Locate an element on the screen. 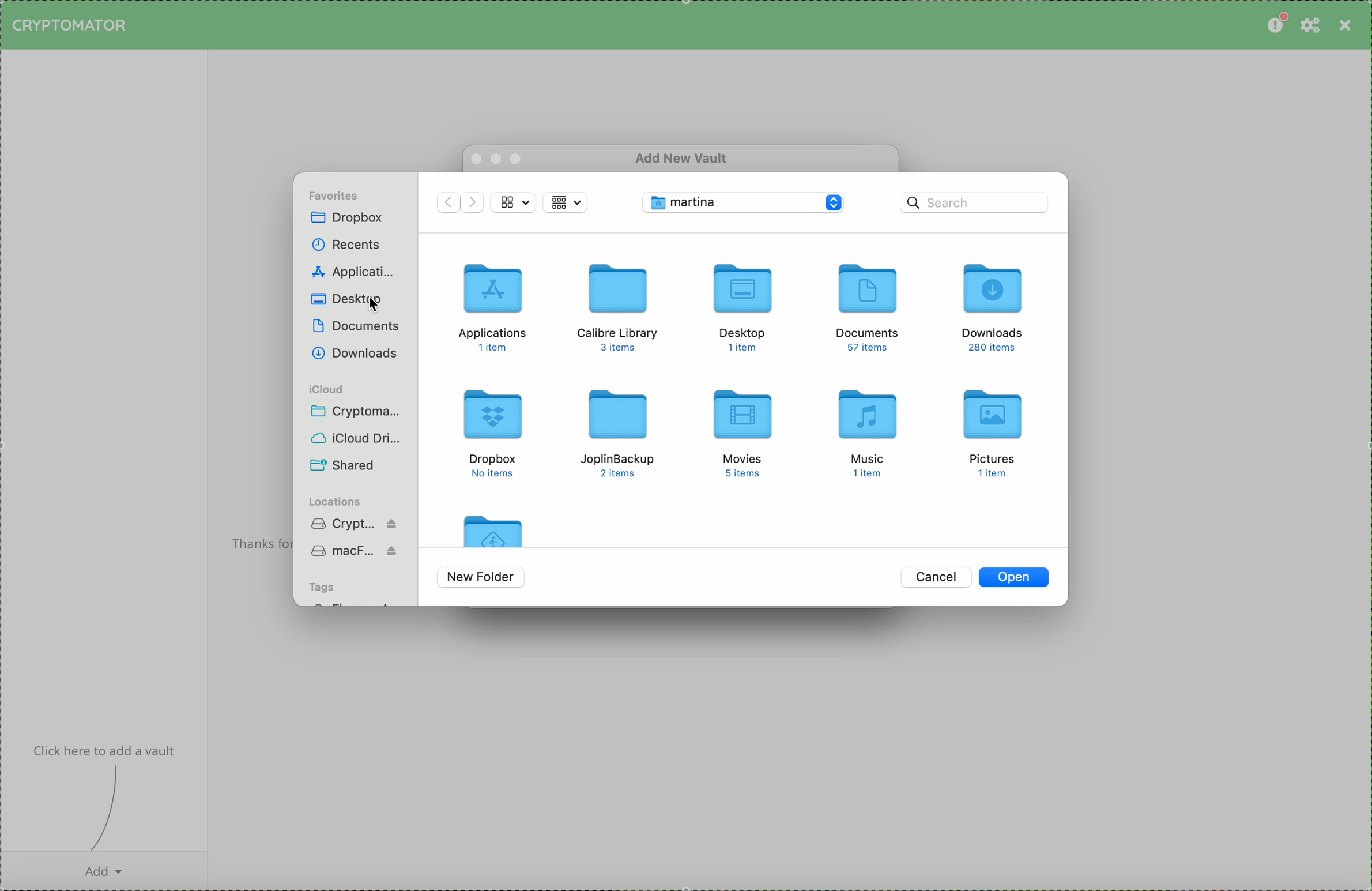 Image resolution: width=1372 pixels, height=891 pixels. add new vault is located at coordinates (690, 157).